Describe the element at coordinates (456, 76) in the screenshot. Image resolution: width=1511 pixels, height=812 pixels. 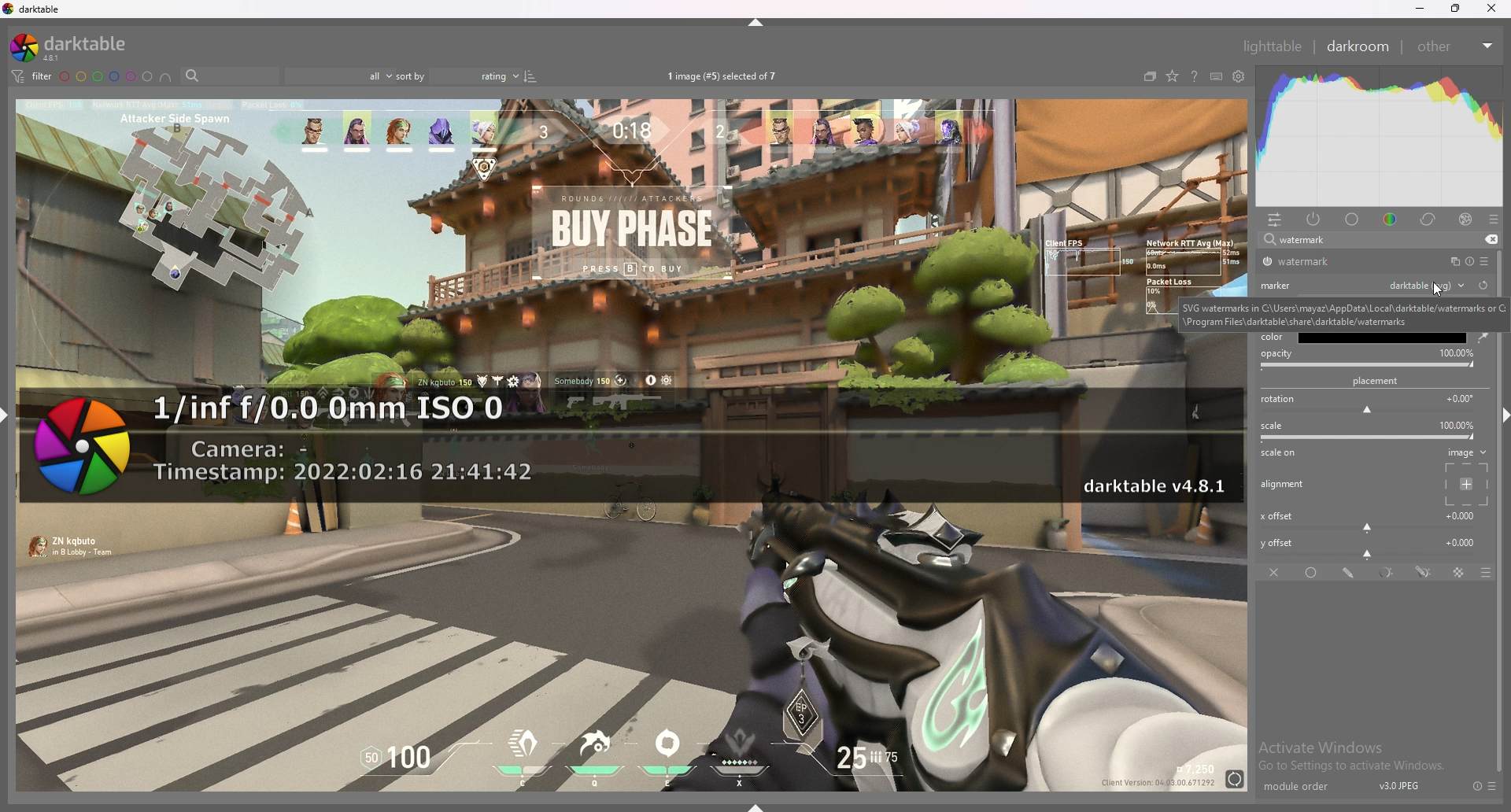
I see `sort by` at that location.